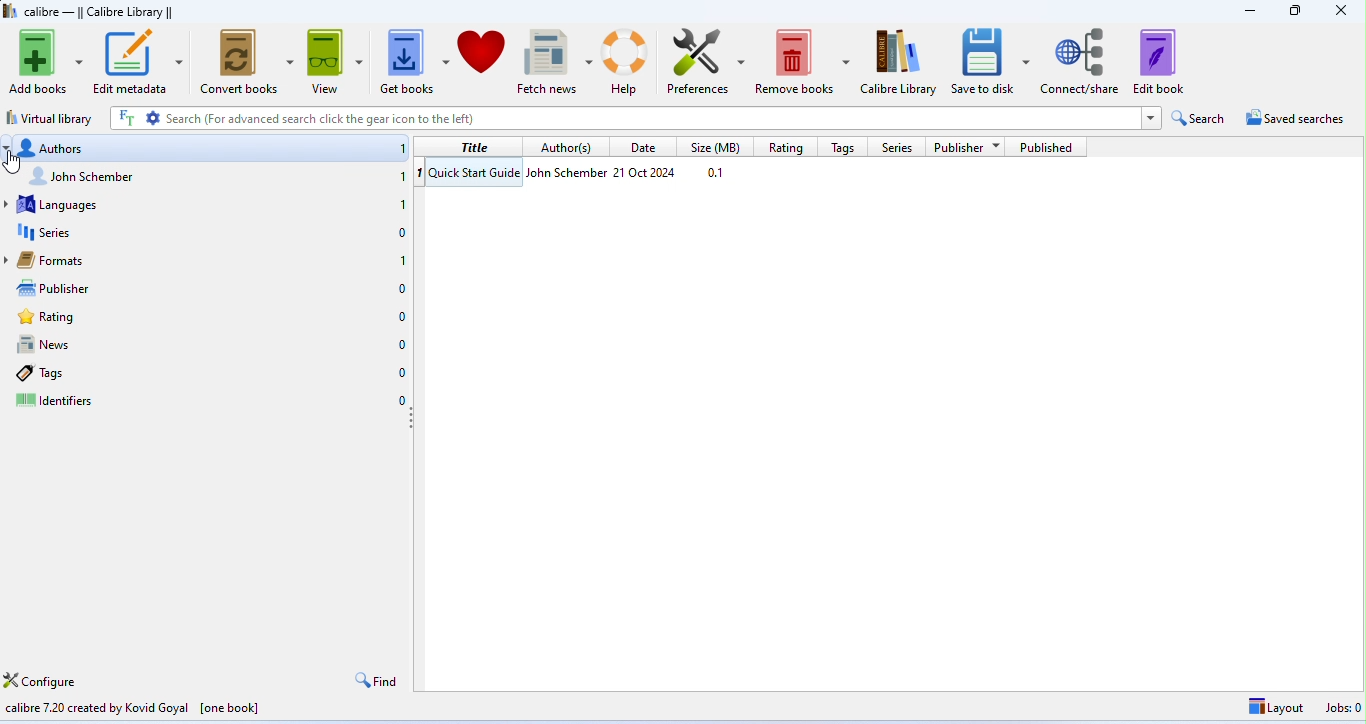 This screenshot has height=724, width=1366. What do you see at coordinates (645, 148) in the screenshot?
I see `date` at bounding box center [645, 148].